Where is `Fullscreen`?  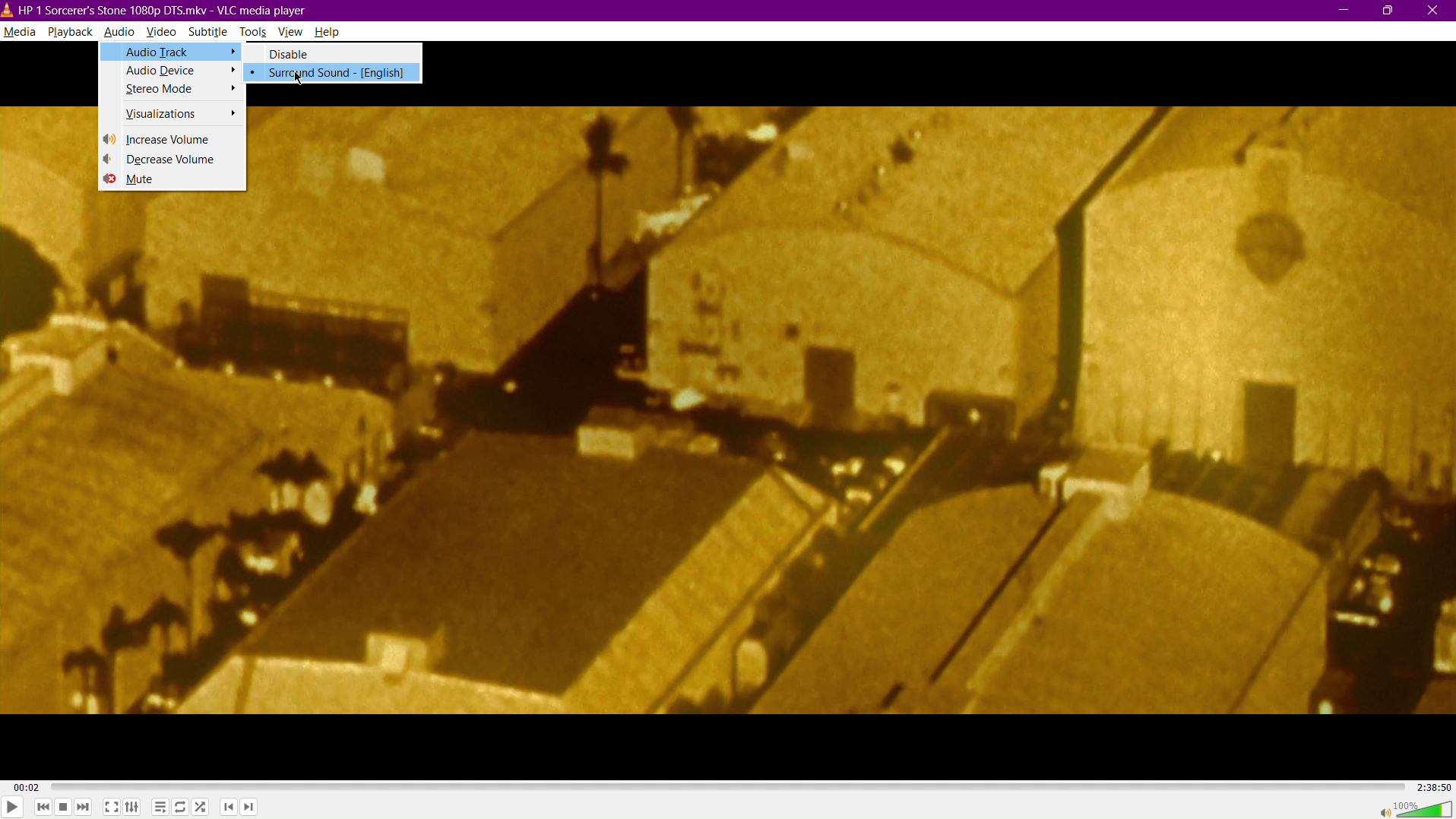
Fullscreen is located at coordinates (112, 808).